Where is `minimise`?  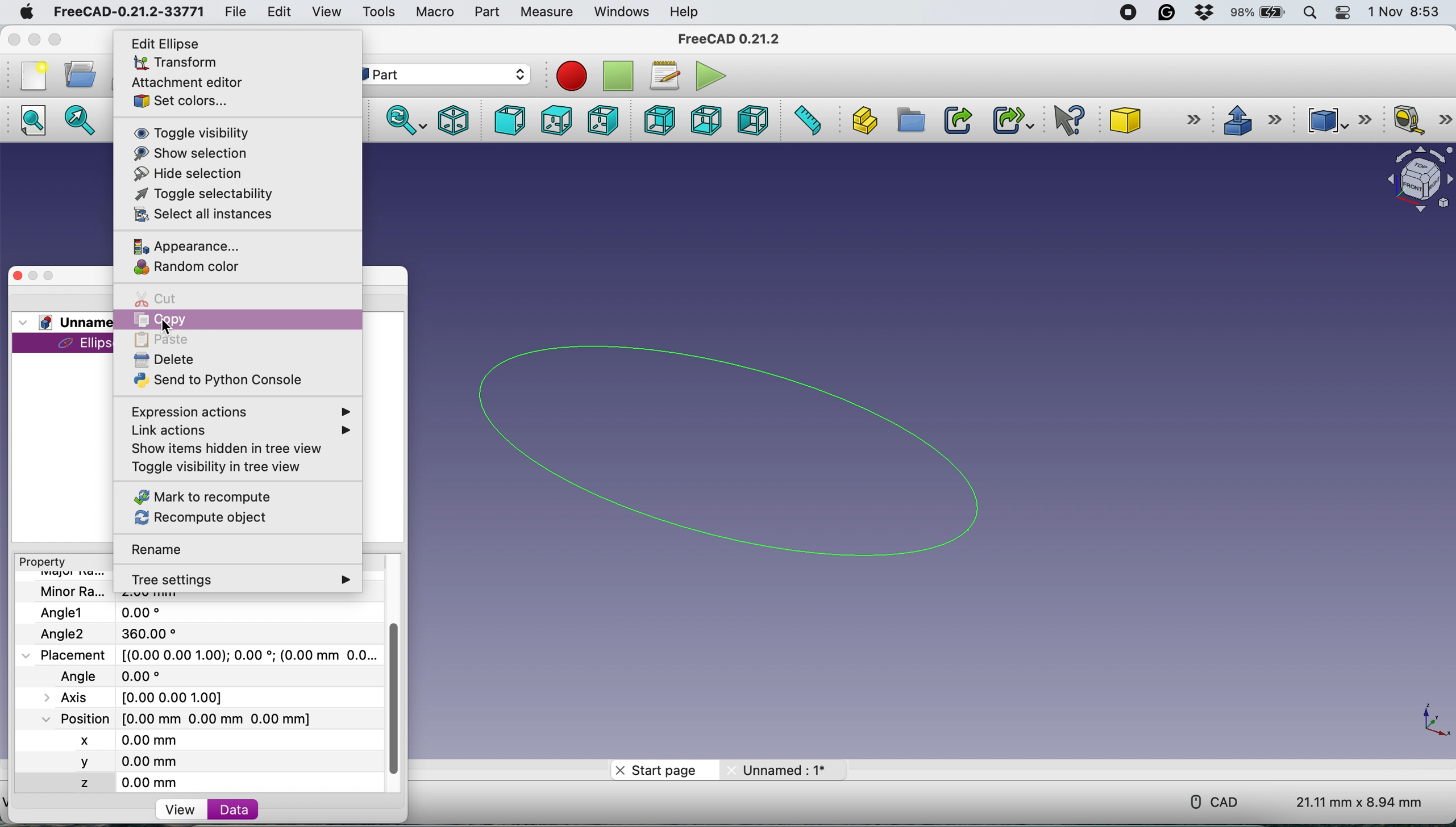 minimise is located at coordinates (32, 40).